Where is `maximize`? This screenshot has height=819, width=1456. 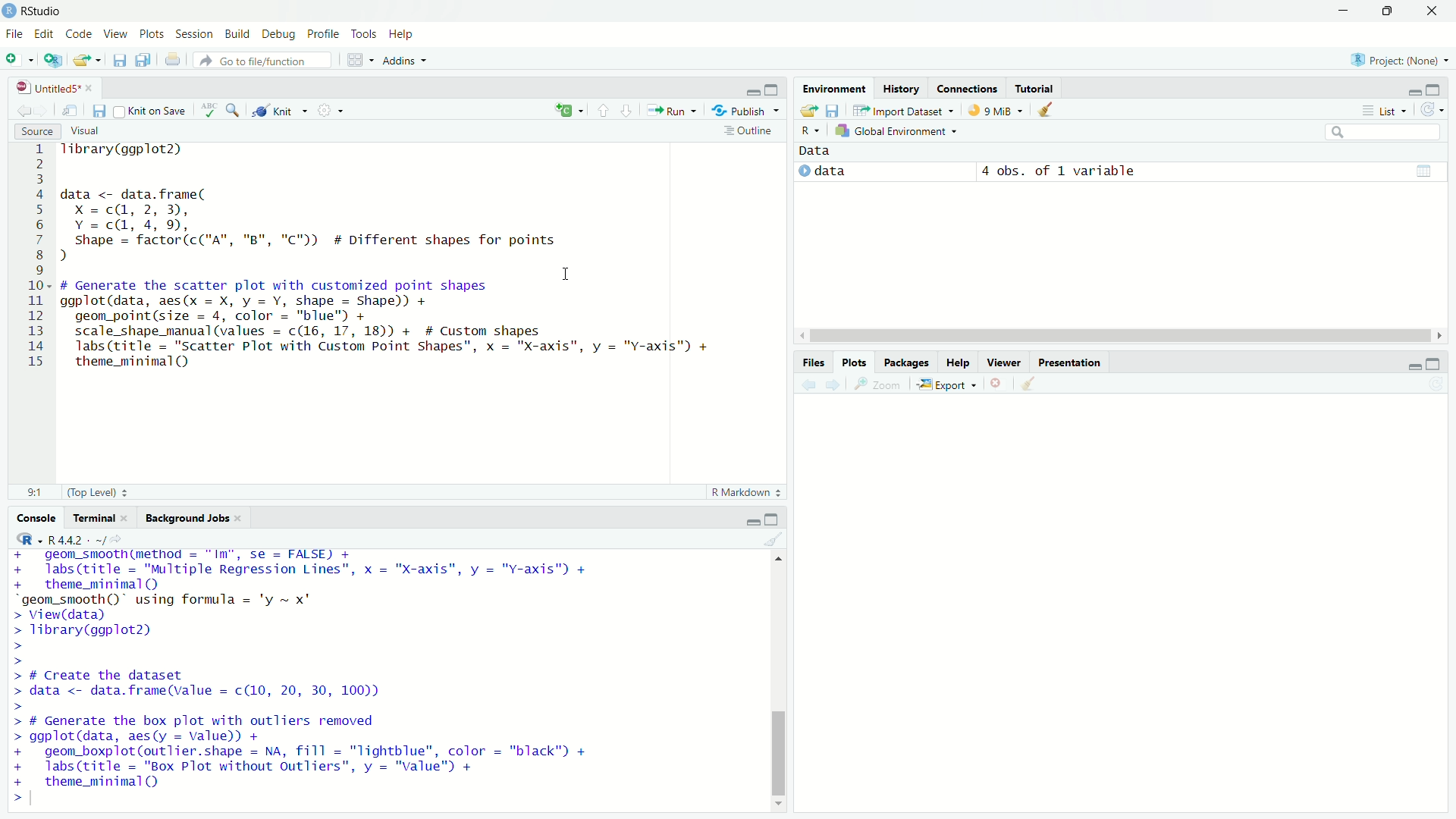 maximize is located at coordinates (772, 519).